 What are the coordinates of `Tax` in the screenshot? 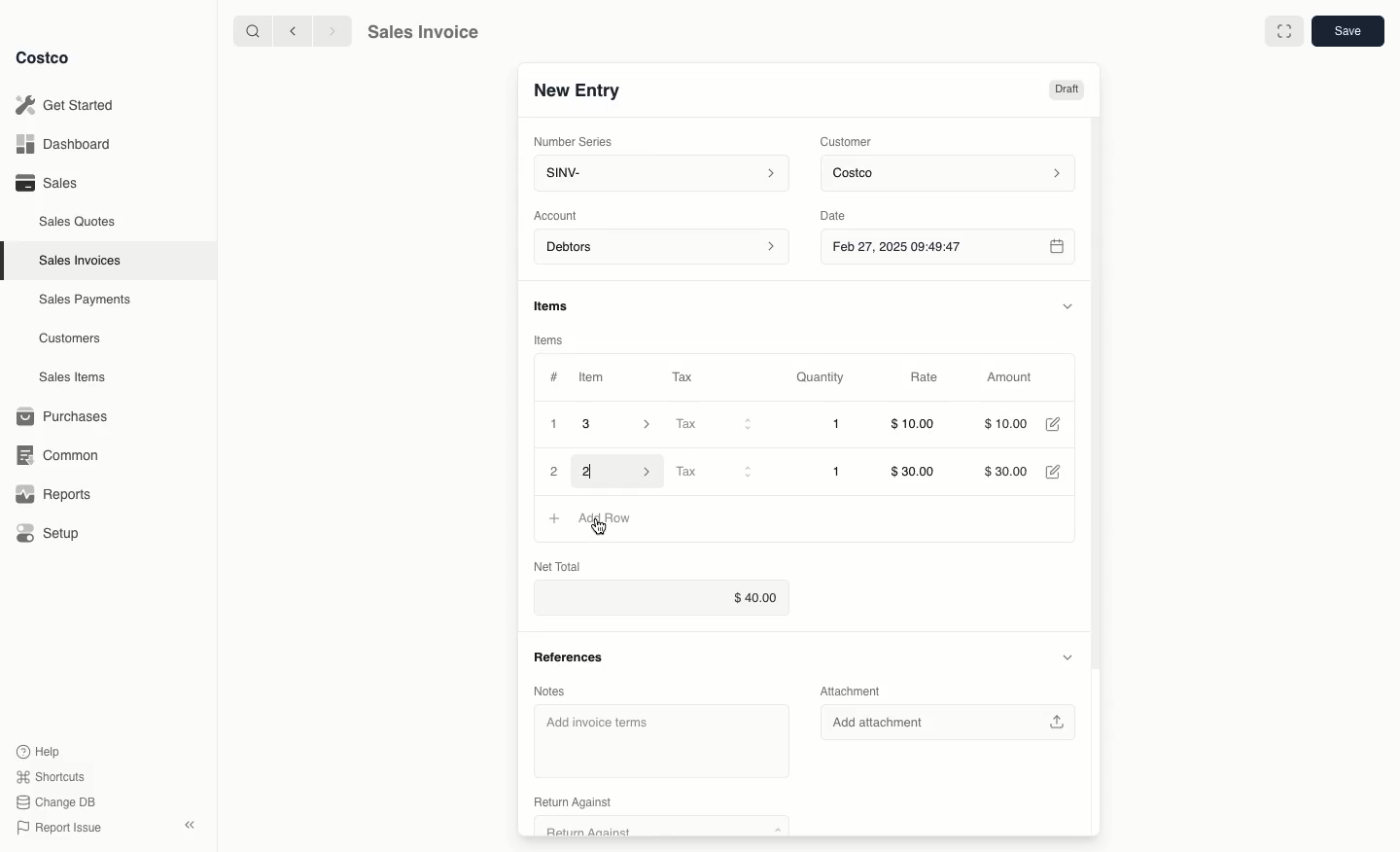 It's located at (712, 471).